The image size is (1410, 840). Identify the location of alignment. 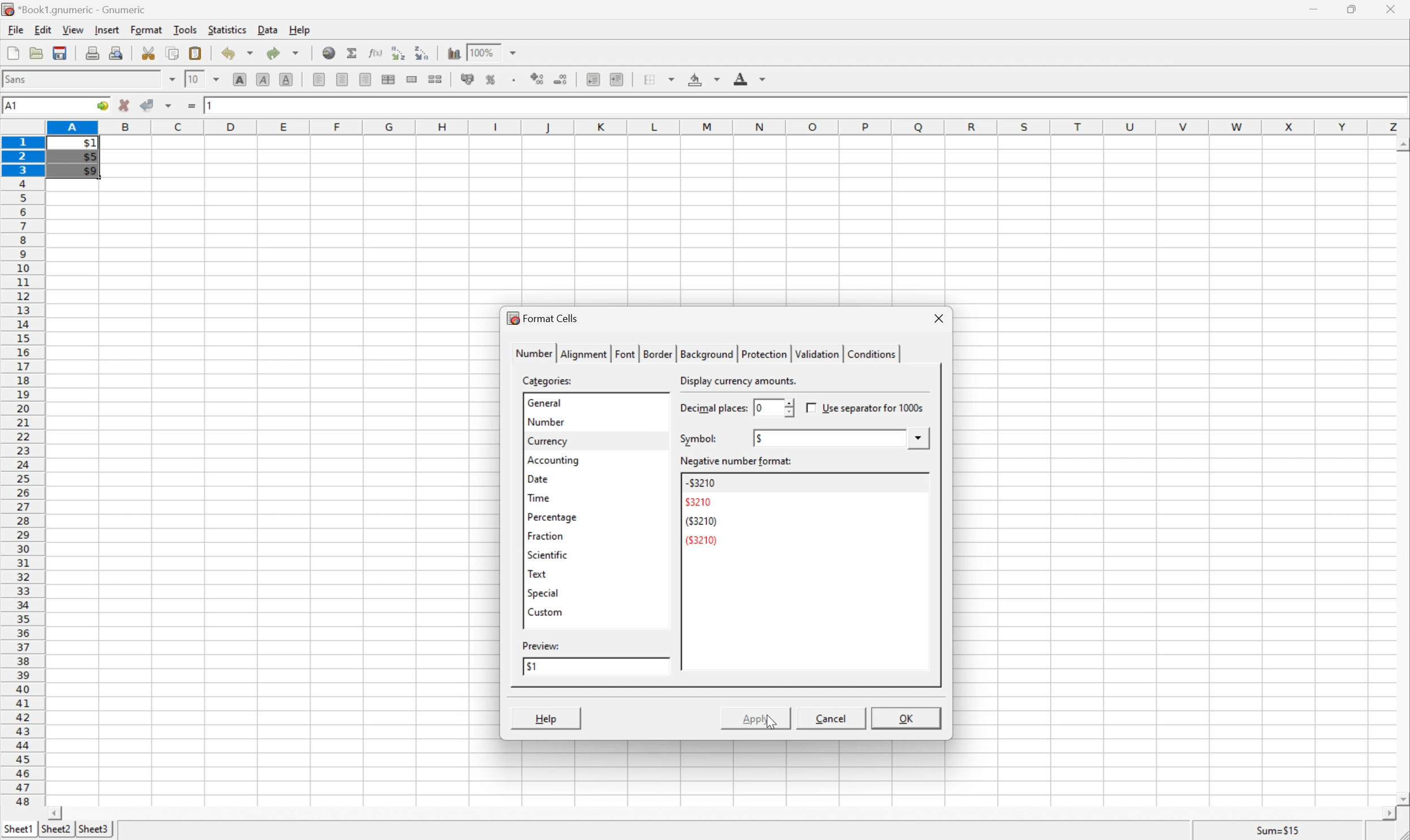
(584, 353).